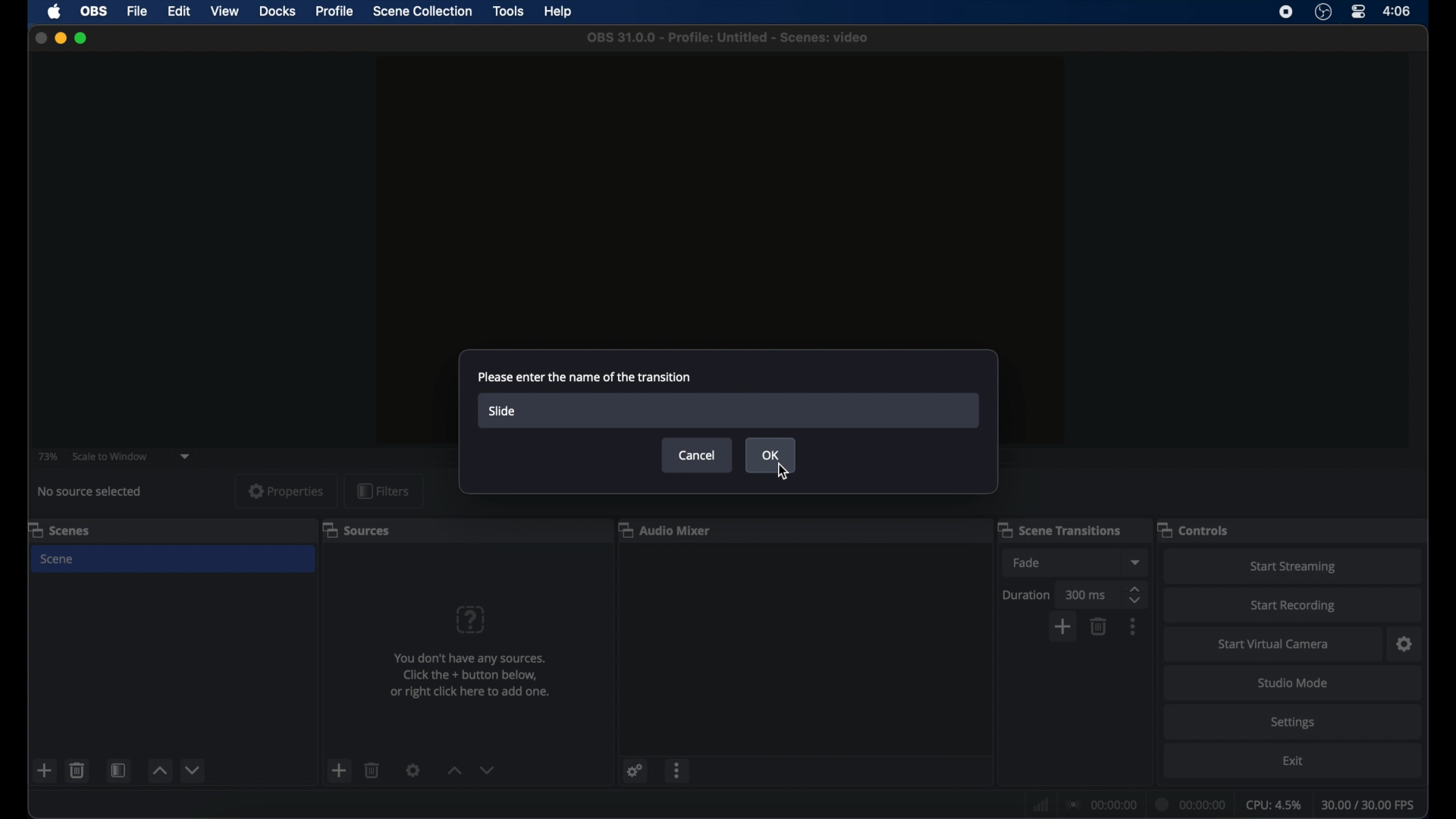  I want to click on delete, so click(77, 770).